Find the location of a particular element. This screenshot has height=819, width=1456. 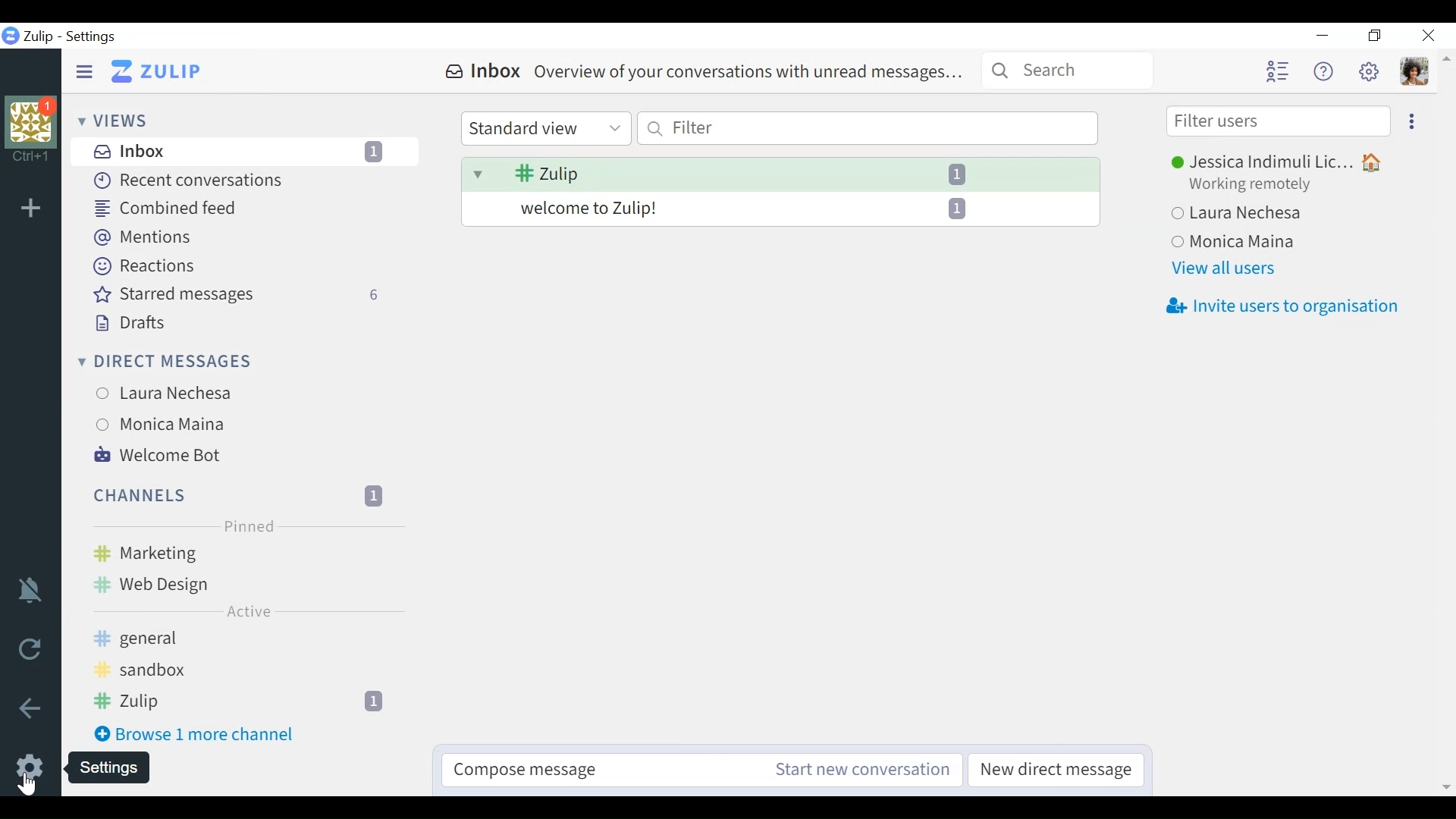

User is located at coordinates (1232, 240).